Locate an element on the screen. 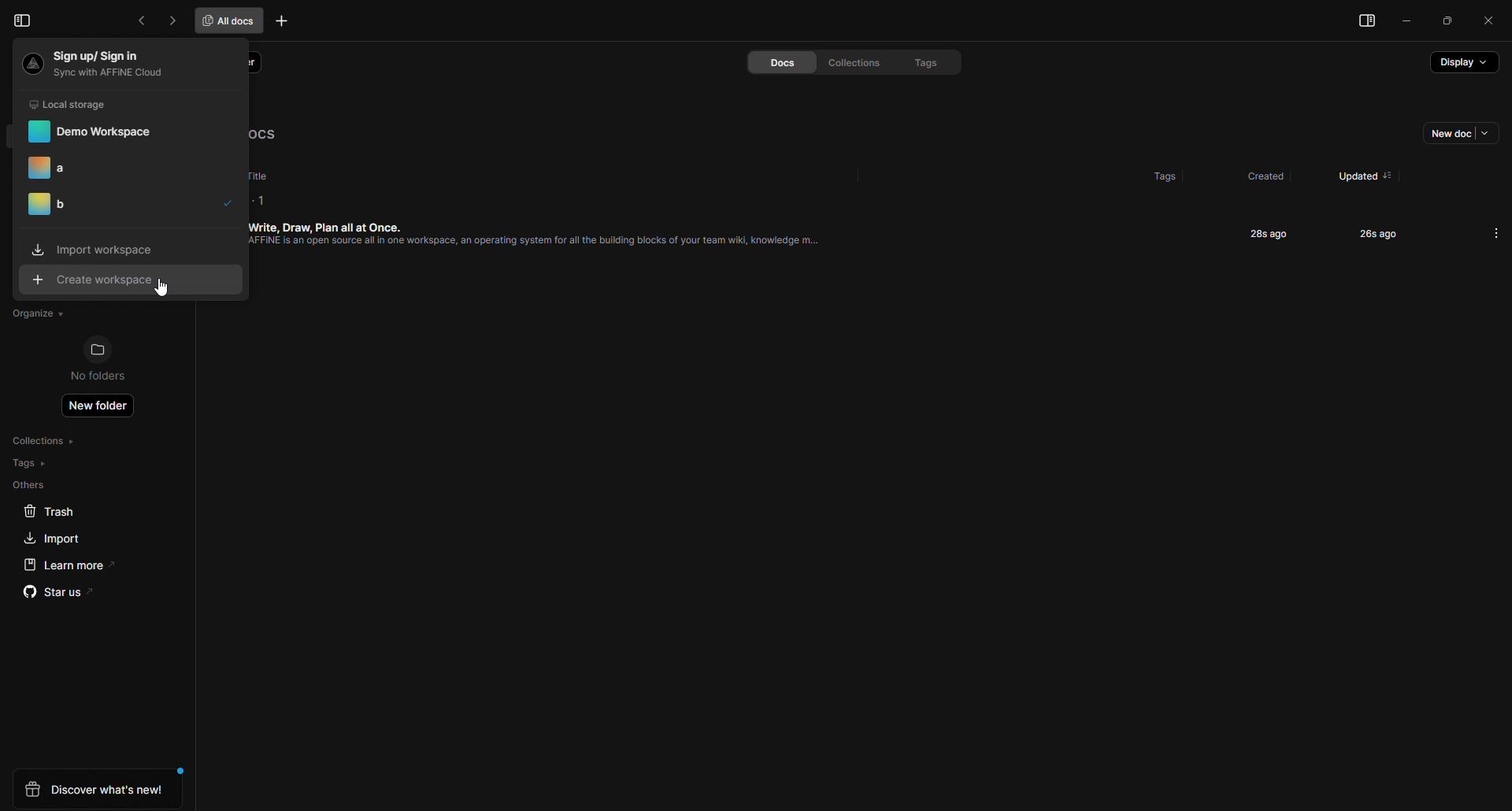  demo is located at coordinates (91, 131).